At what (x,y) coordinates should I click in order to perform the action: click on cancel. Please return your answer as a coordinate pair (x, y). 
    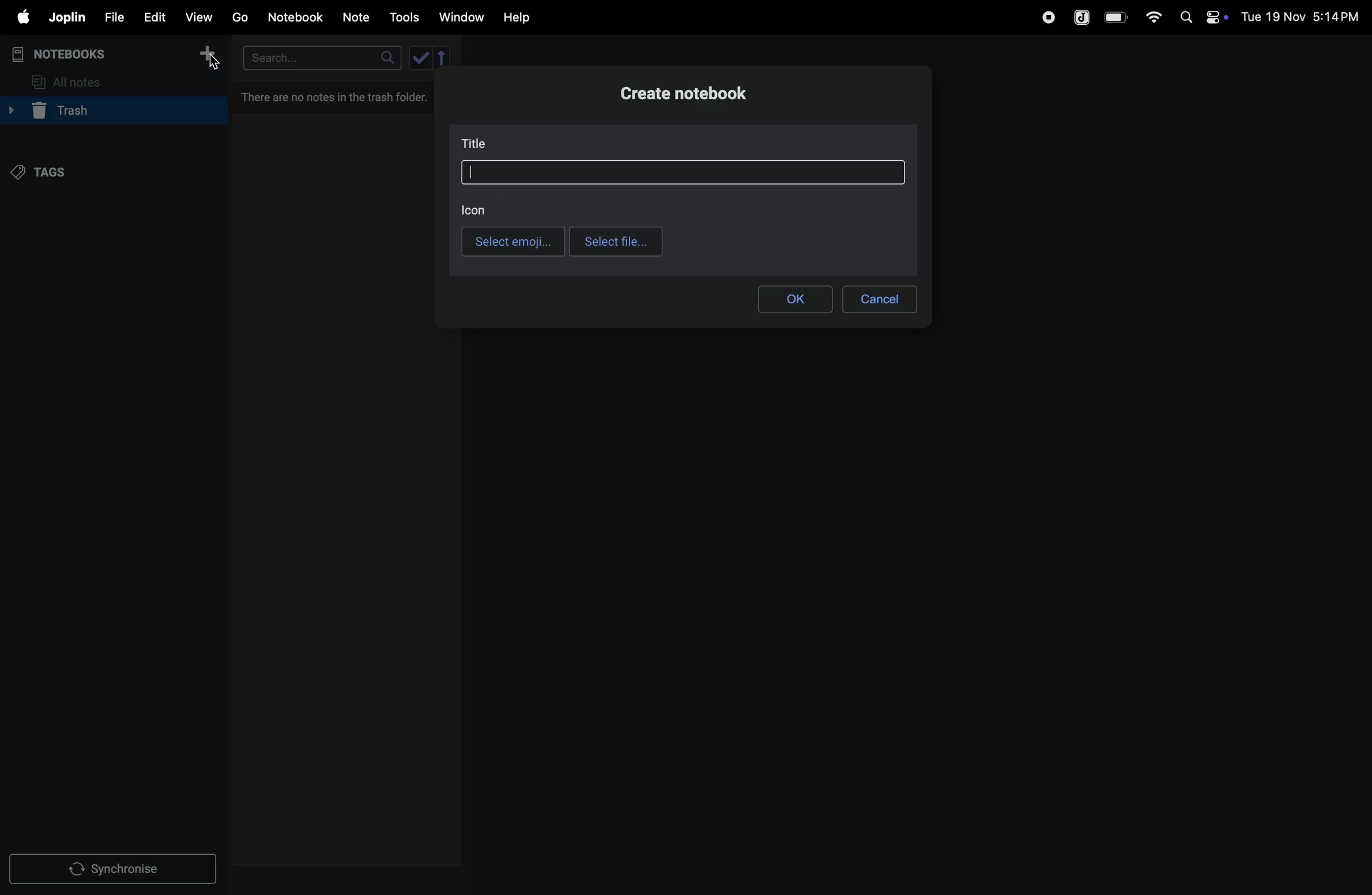
    Looking at the image, I should click on (880, 300).